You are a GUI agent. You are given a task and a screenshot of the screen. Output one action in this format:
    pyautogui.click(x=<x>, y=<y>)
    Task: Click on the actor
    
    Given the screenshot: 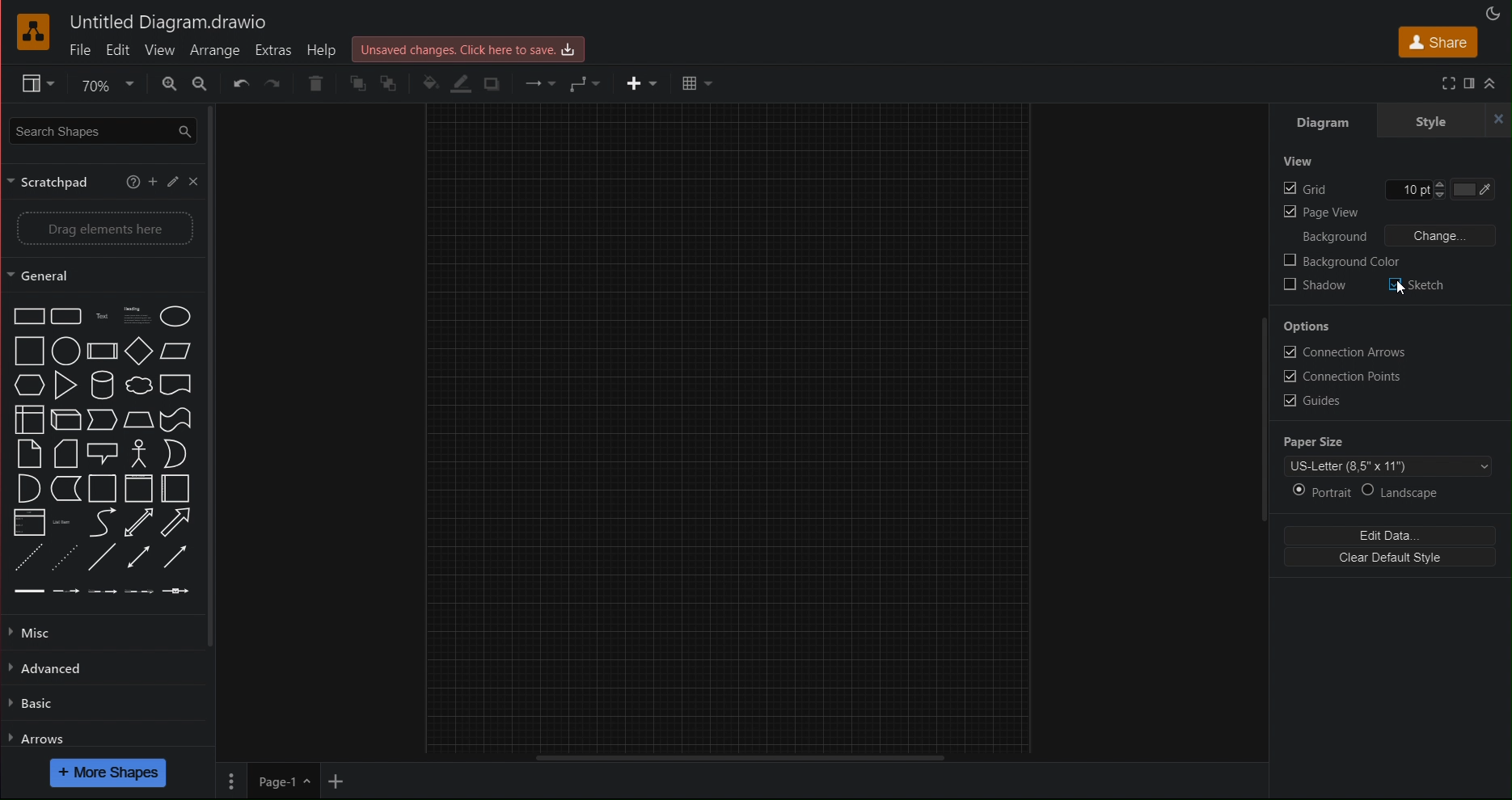 What is the action you would take?
    pyautogui.click(x=139, y=453)
    